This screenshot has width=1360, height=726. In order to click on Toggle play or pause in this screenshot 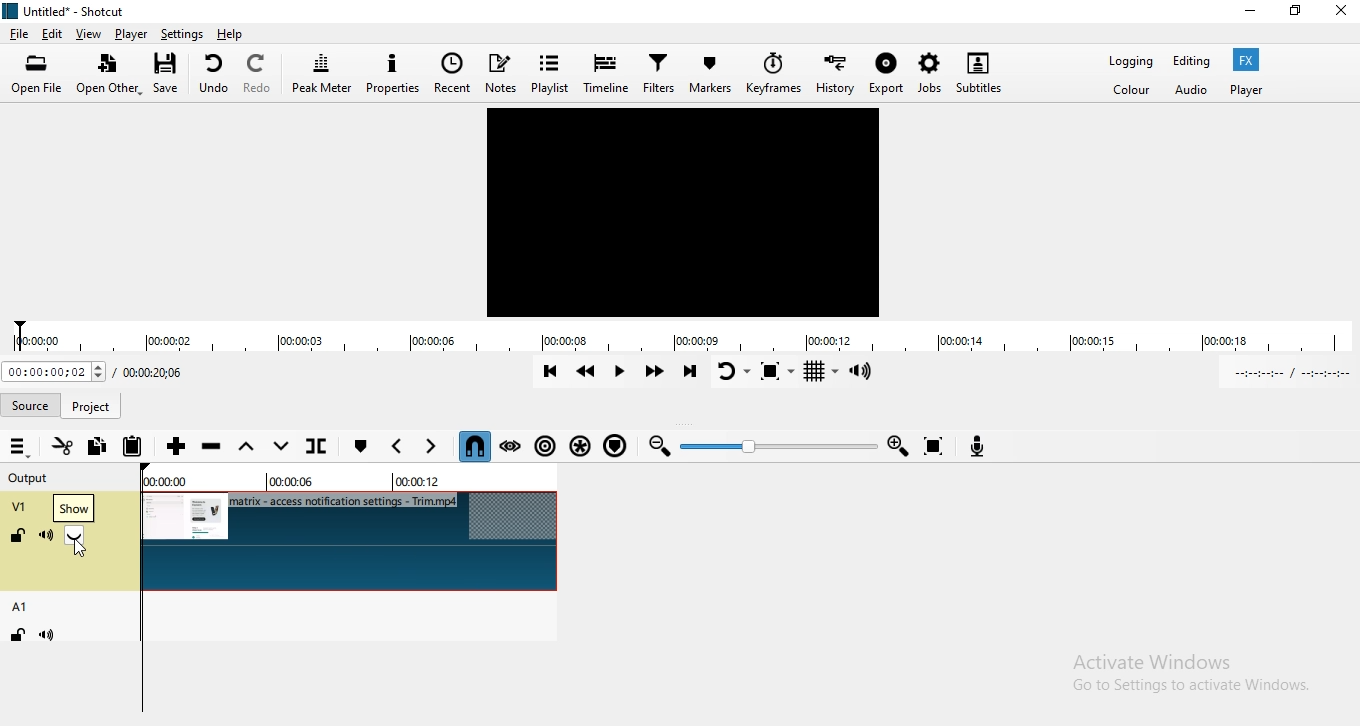, I will do `click(624, 374)`.